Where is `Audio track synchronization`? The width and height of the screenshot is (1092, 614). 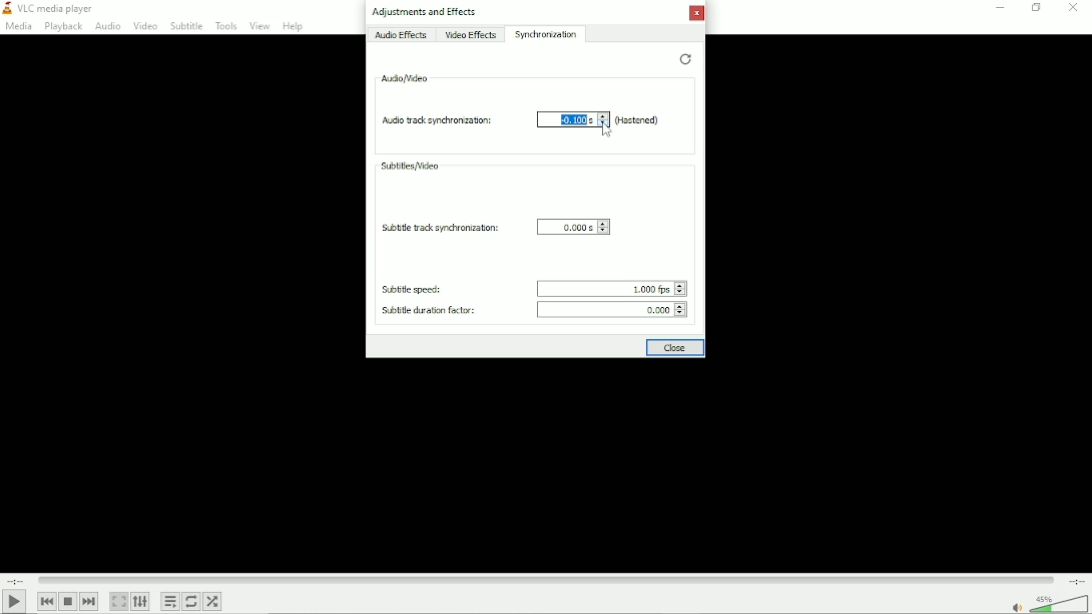 Audio track synchronization is located at coordinates (437, 119).